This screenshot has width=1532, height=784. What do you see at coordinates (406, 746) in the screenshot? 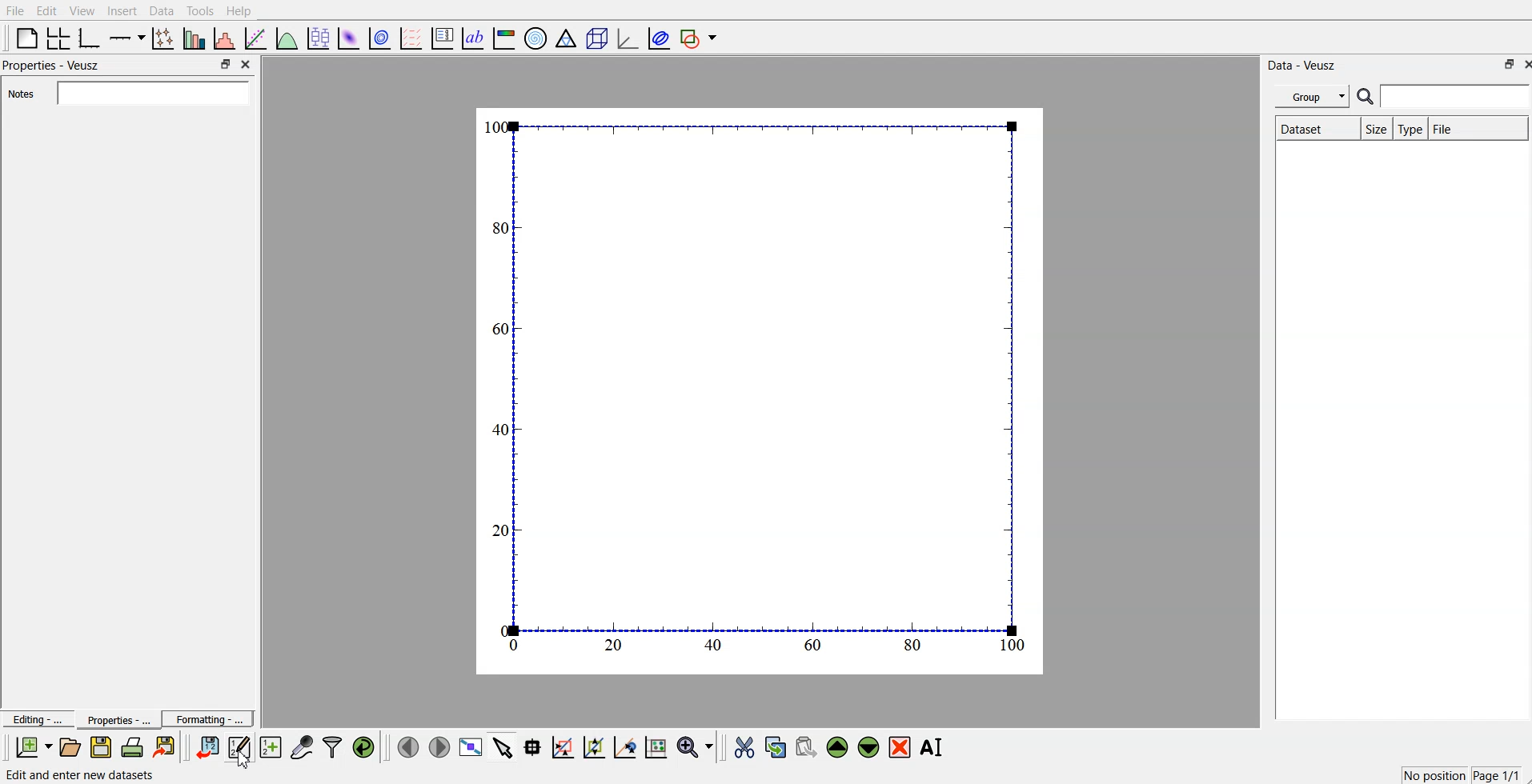
I see `Move to previous page` at bounding box center [406, 746].